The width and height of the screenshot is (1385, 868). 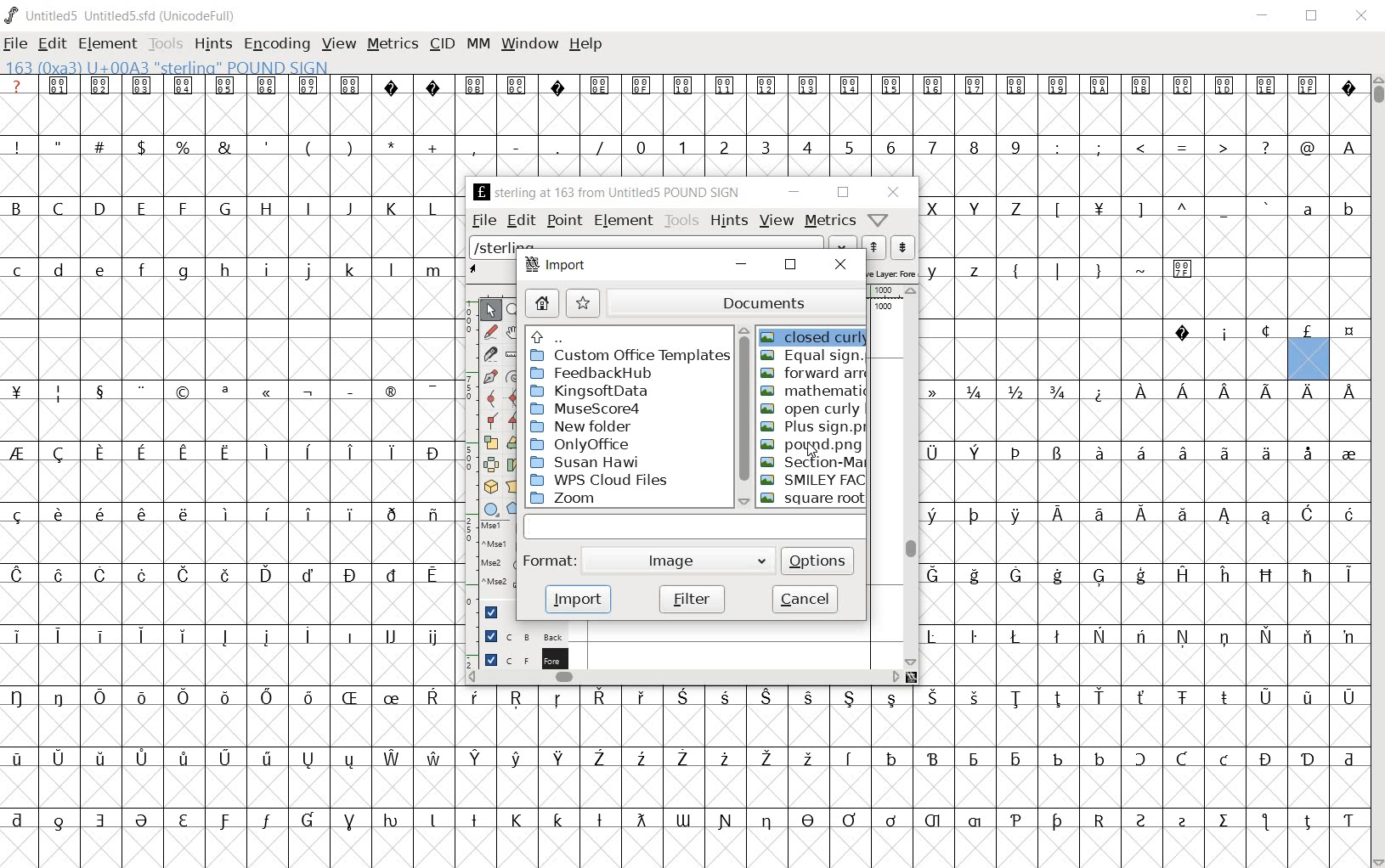 I want to click on Symbol, so click(x=140, y=758).